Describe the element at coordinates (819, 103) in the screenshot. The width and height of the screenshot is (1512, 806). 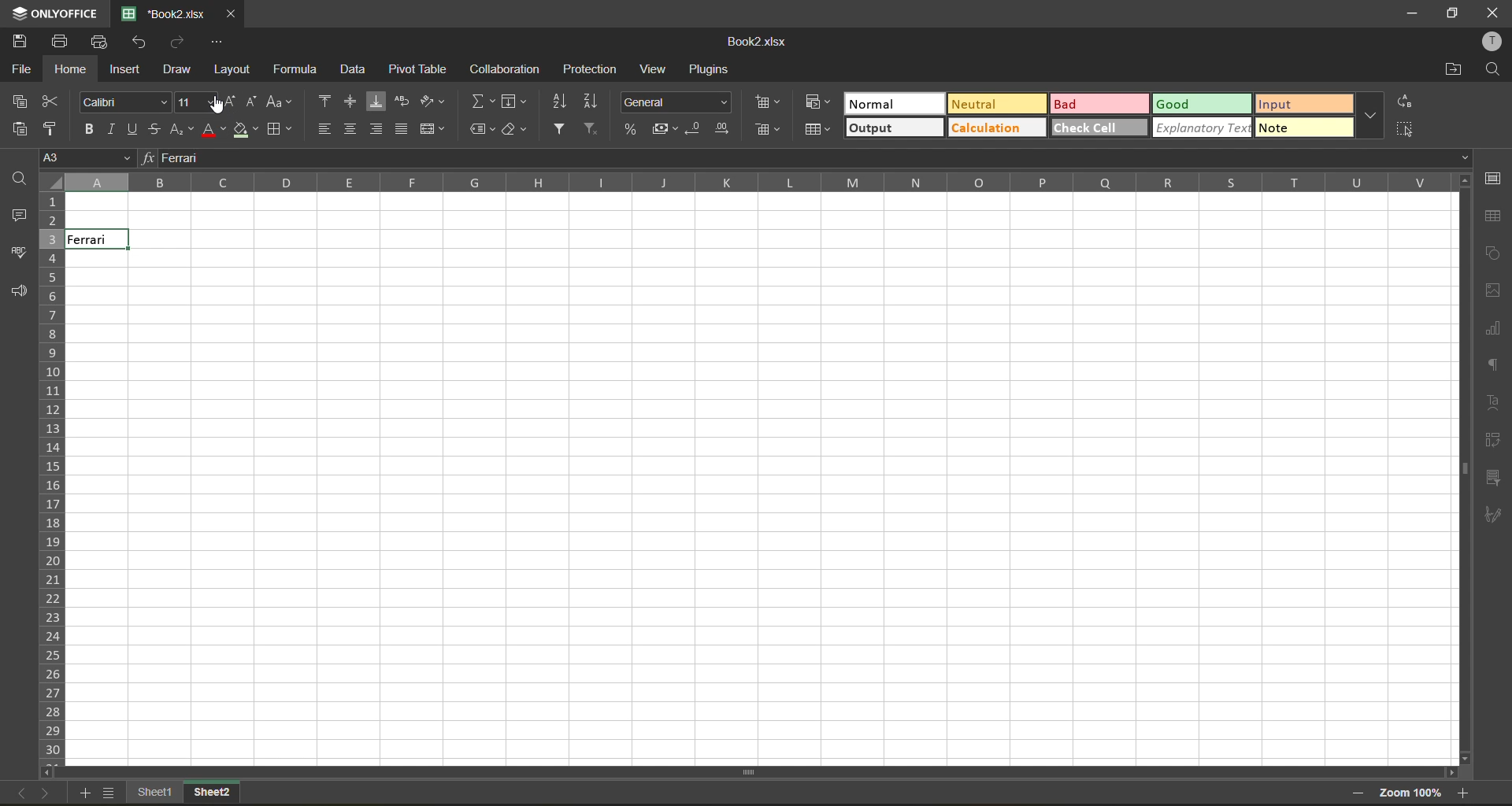
I see `conditional formatting` at that location.